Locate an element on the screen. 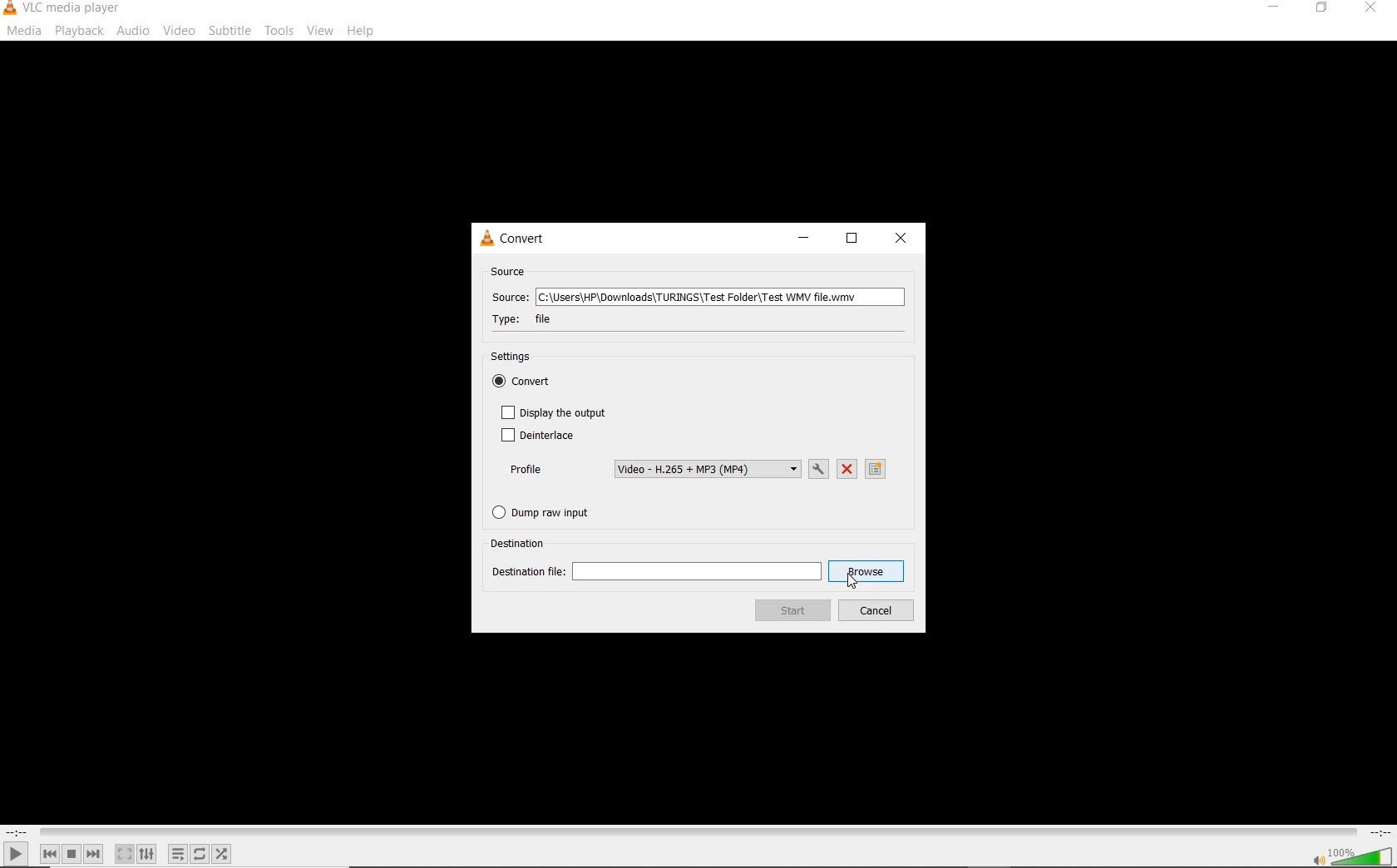 Image resolution: width=1397 pixels, height=868 pixels. convert is located at coordinates (530, 383).